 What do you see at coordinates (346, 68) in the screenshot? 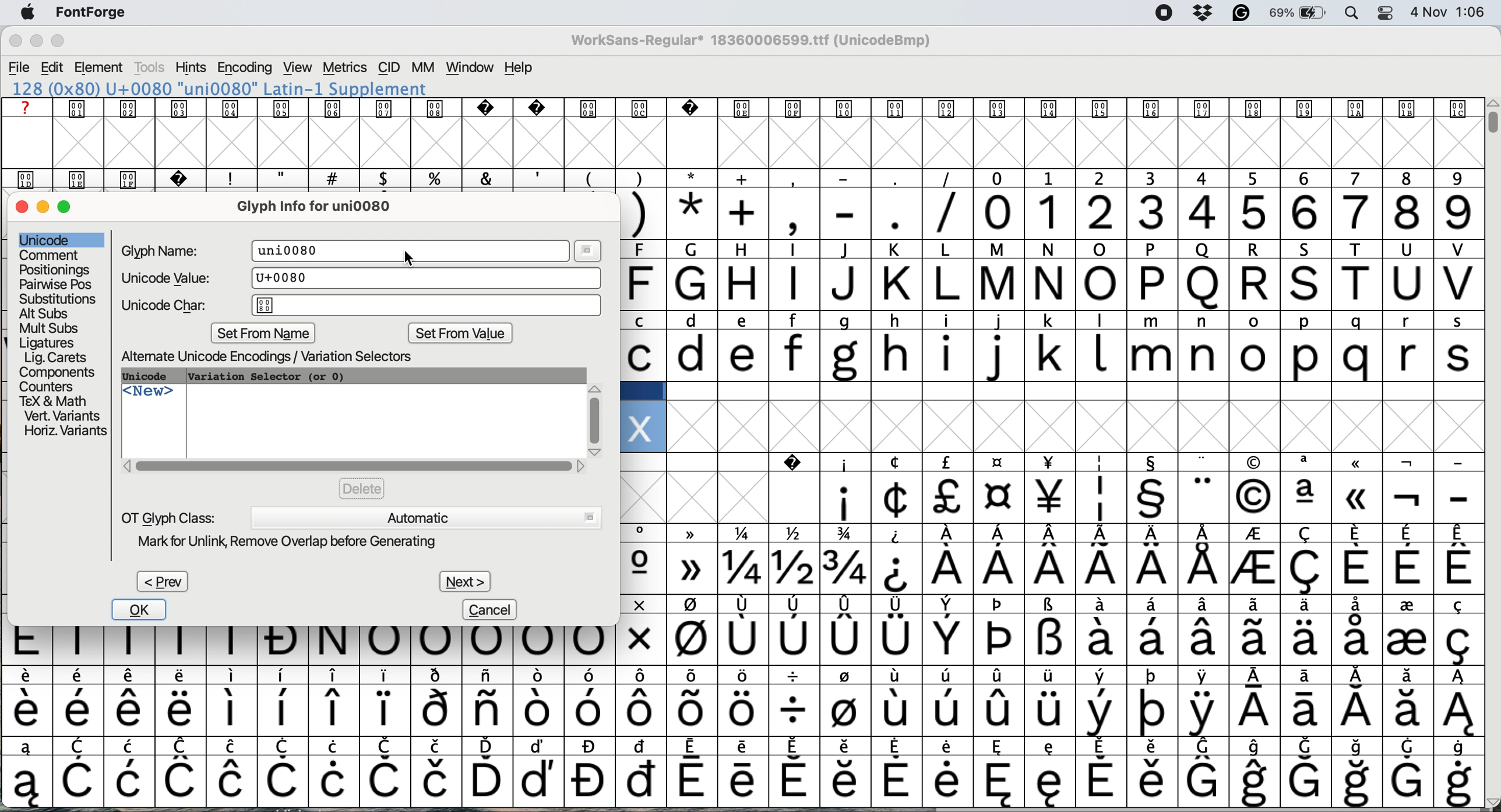
I see `metrics` at bounding box center [346, 68].